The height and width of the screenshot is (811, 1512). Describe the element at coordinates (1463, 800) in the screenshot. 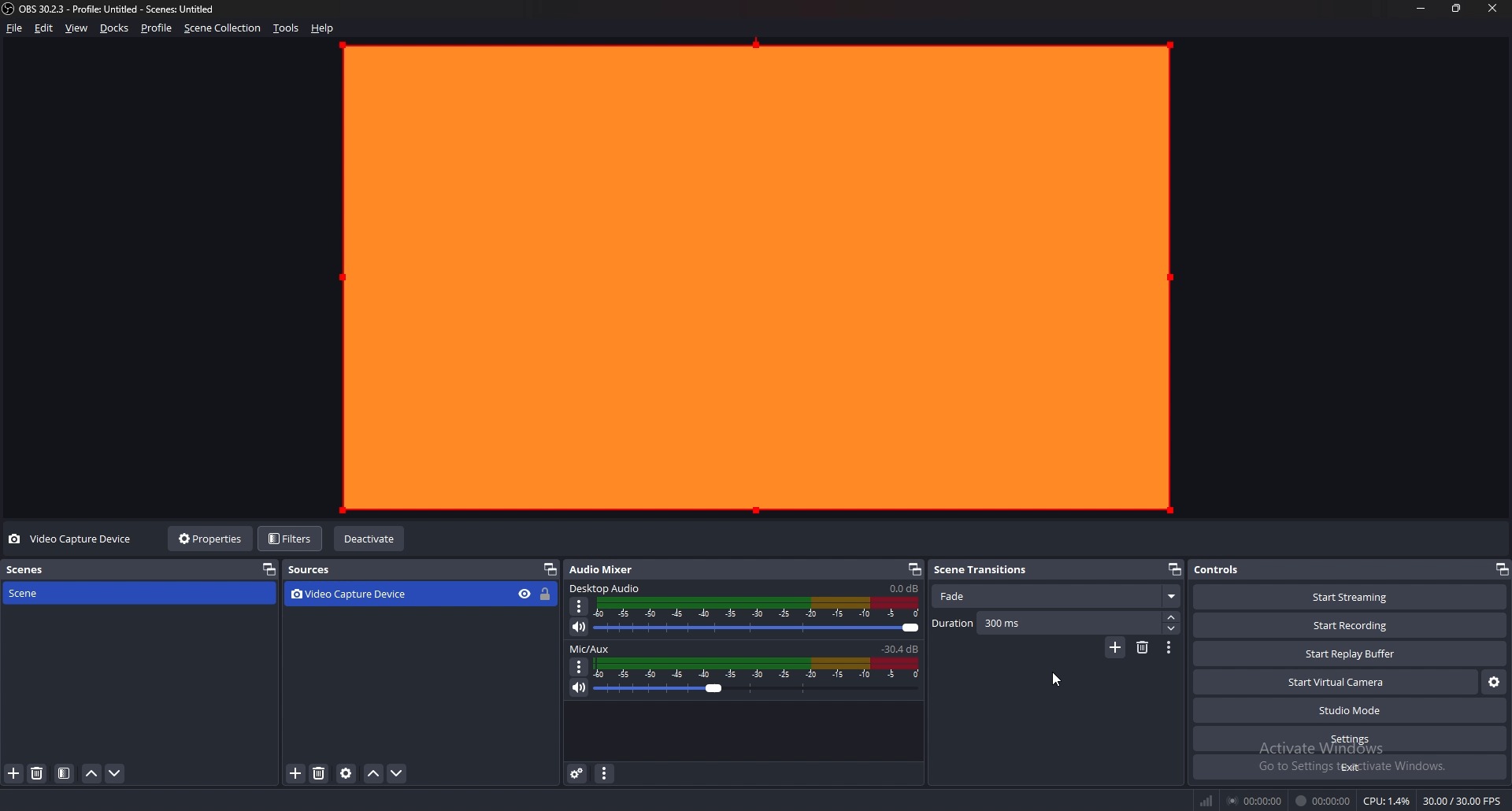

I see `30.00 / 30.00 FPS` at that location.